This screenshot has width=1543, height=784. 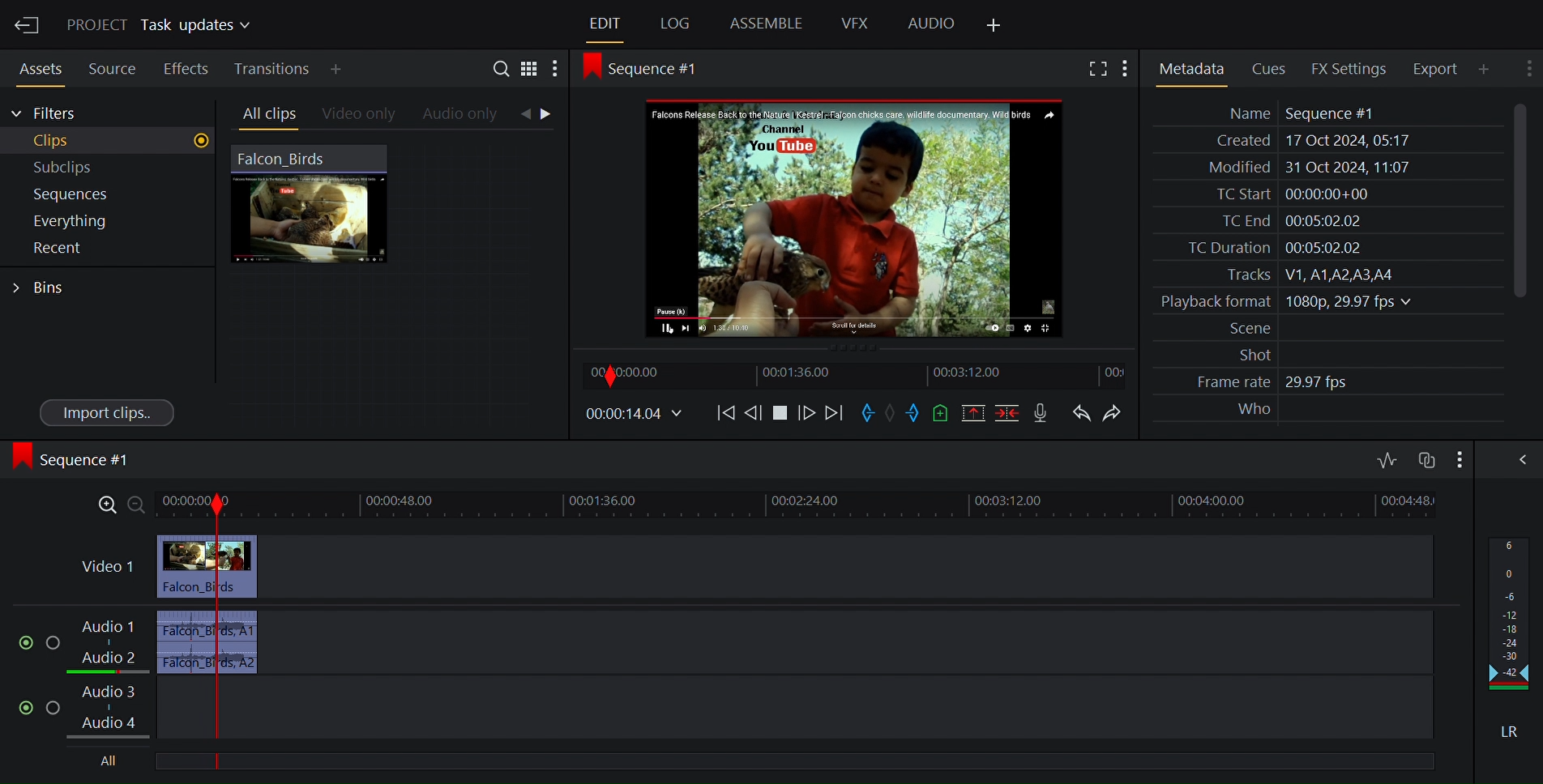 What do you see at coordinates (765, 24) in the screenshot?
I see `Assemble` at bounding box center [765, 24].